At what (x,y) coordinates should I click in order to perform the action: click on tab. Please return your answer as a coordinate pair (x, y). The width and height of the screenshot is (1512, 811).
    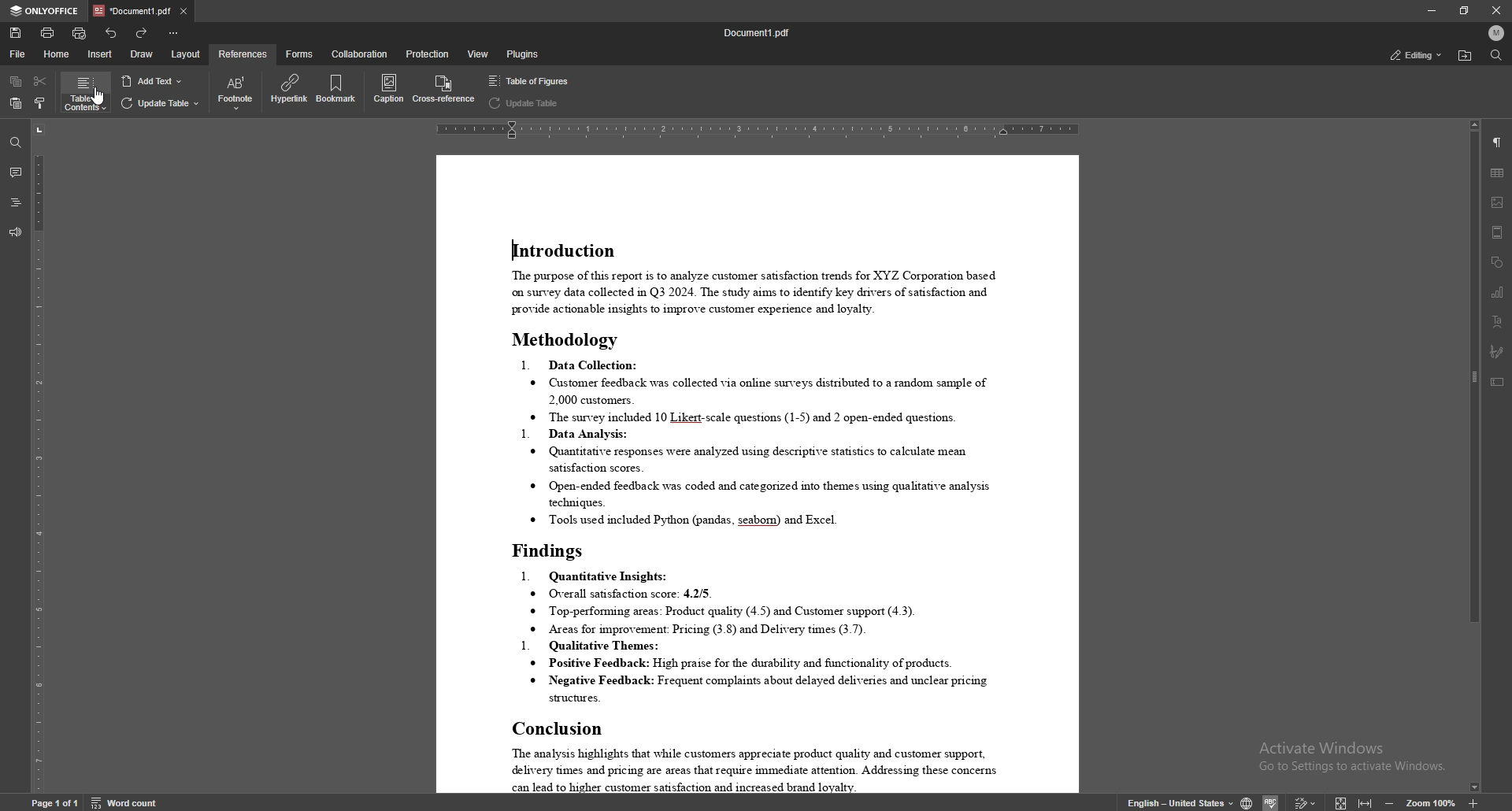
    Looking at the image, I should click on (130, 10).